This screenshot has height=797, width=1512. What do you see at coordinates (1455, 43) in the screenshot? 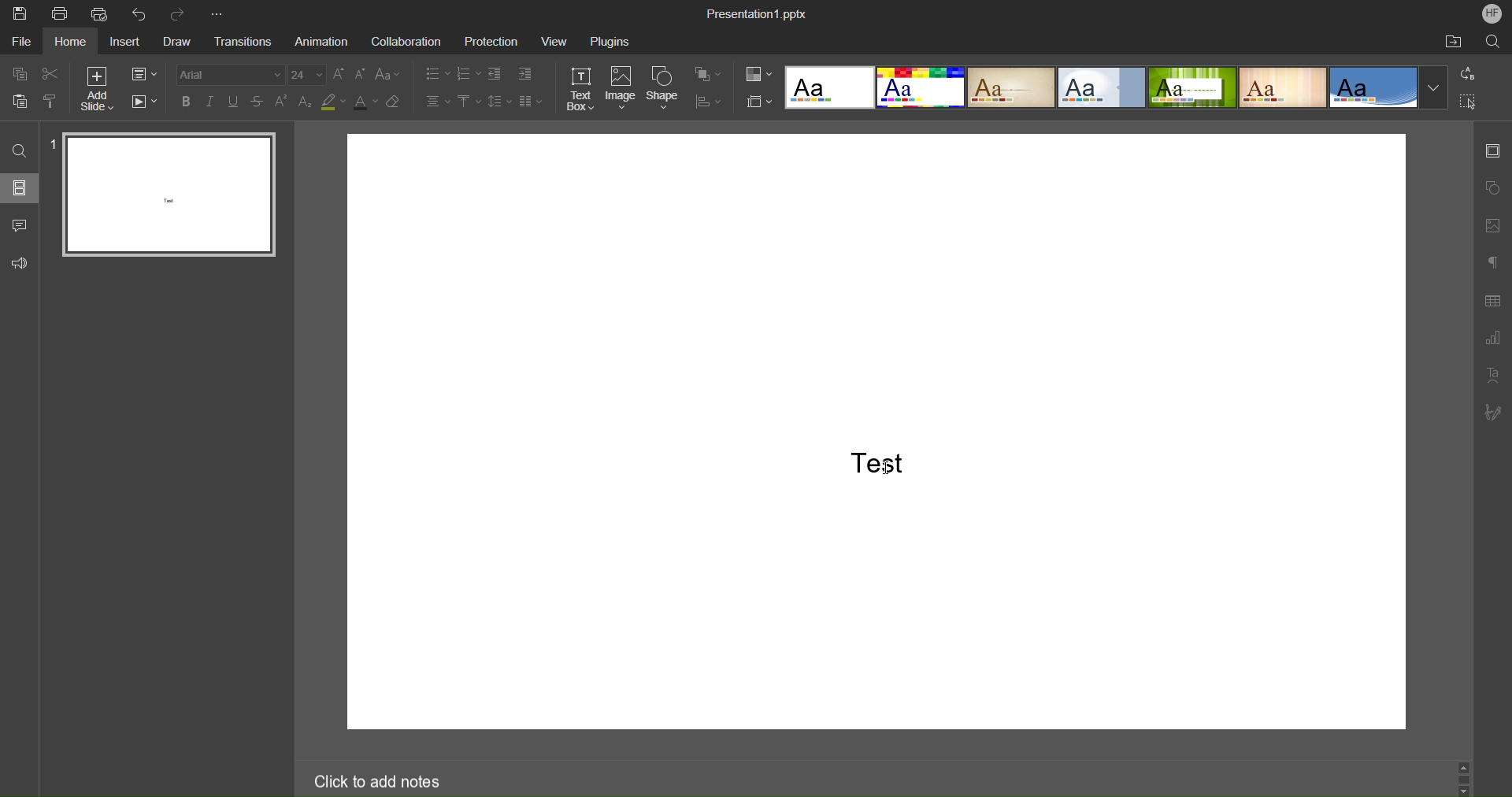
I see `Open Folder` at bounding box center [1455, 43].